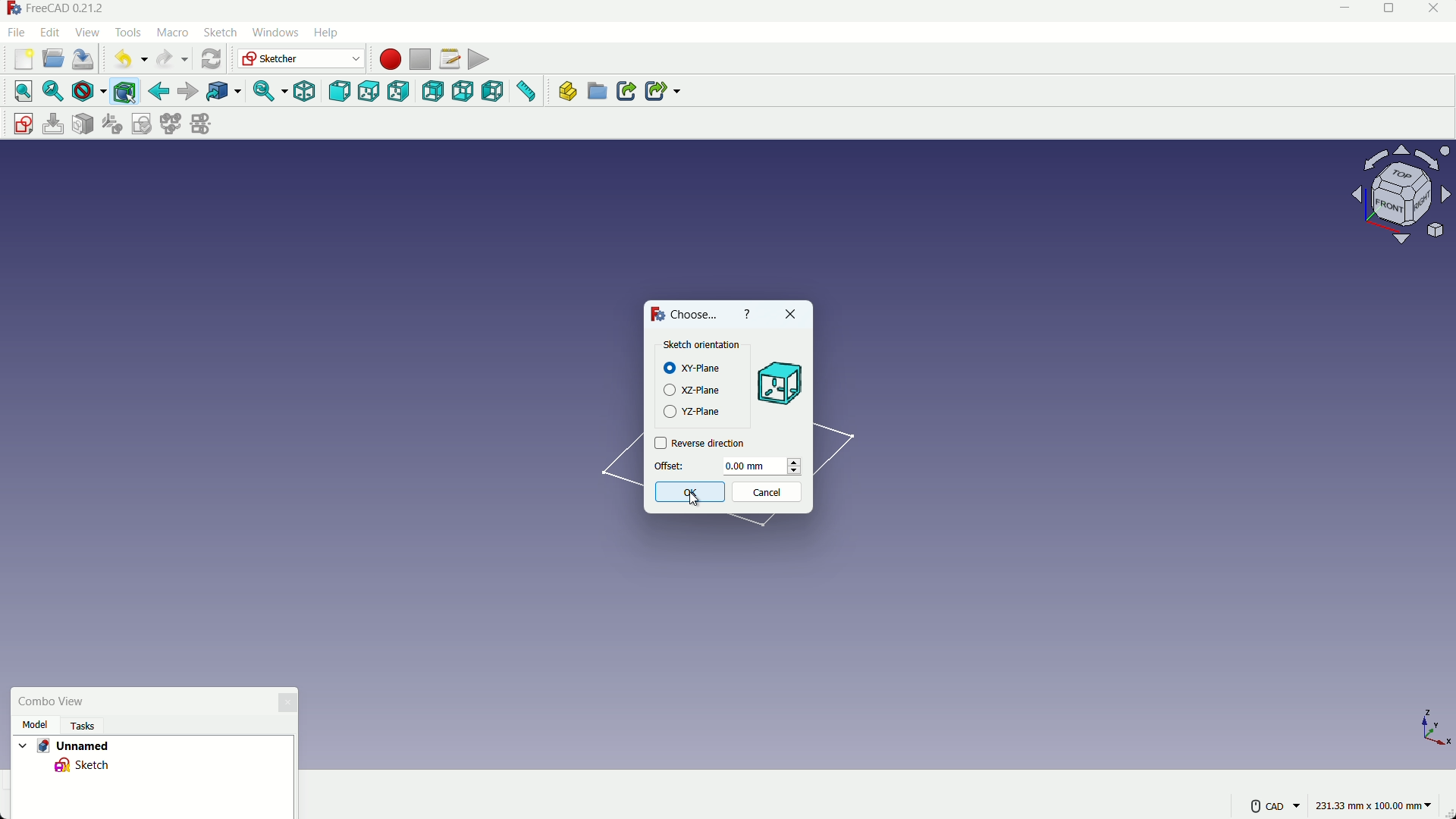 The height and width of the screenshot is (819, 1456). What do you see at coordinates (789, 315) in the screenshot?
I see `close` at bounding box center [789, 315].